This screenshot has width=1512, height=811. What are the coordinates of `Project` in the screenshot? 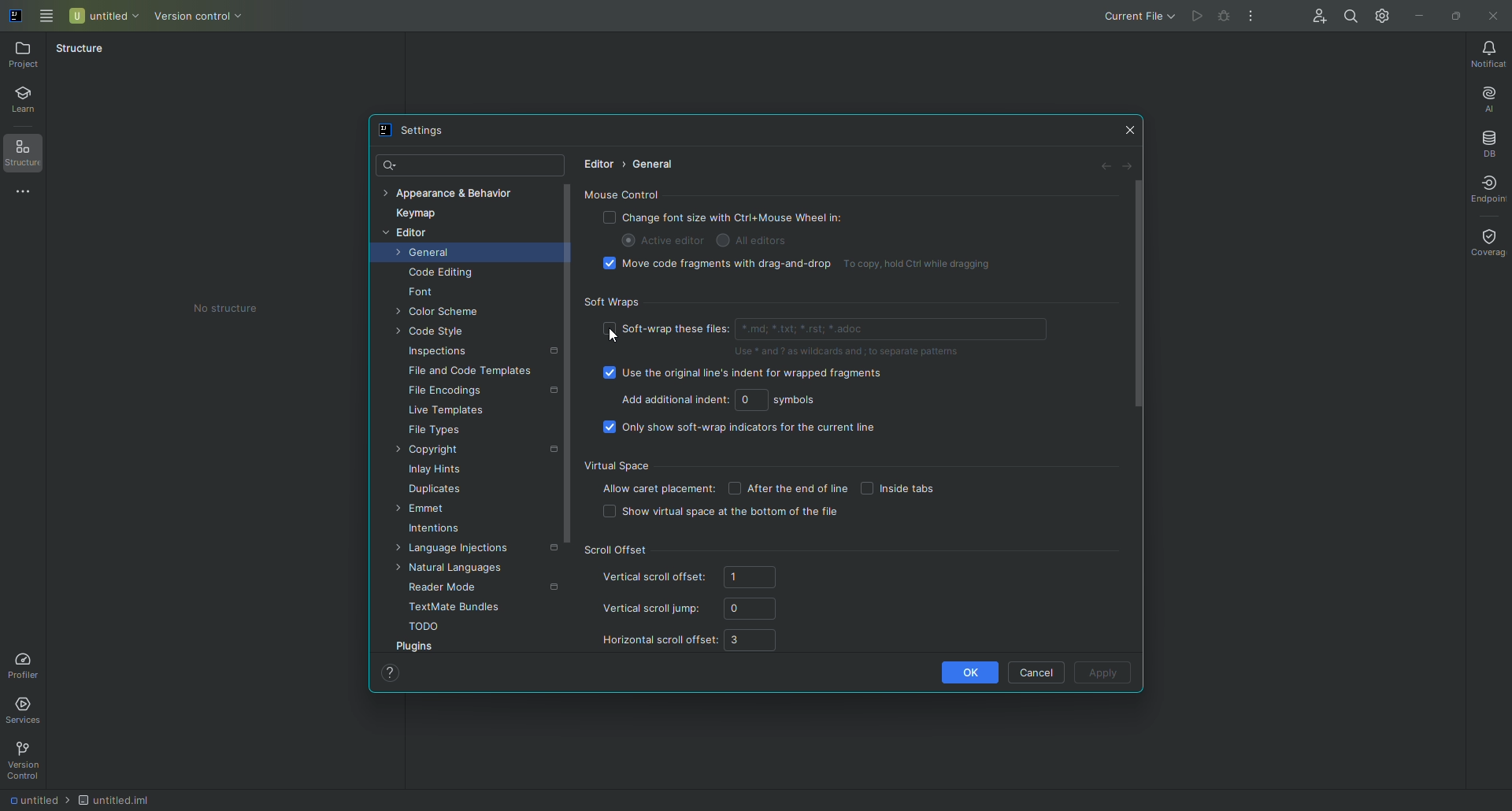 It's located at (28, 59).